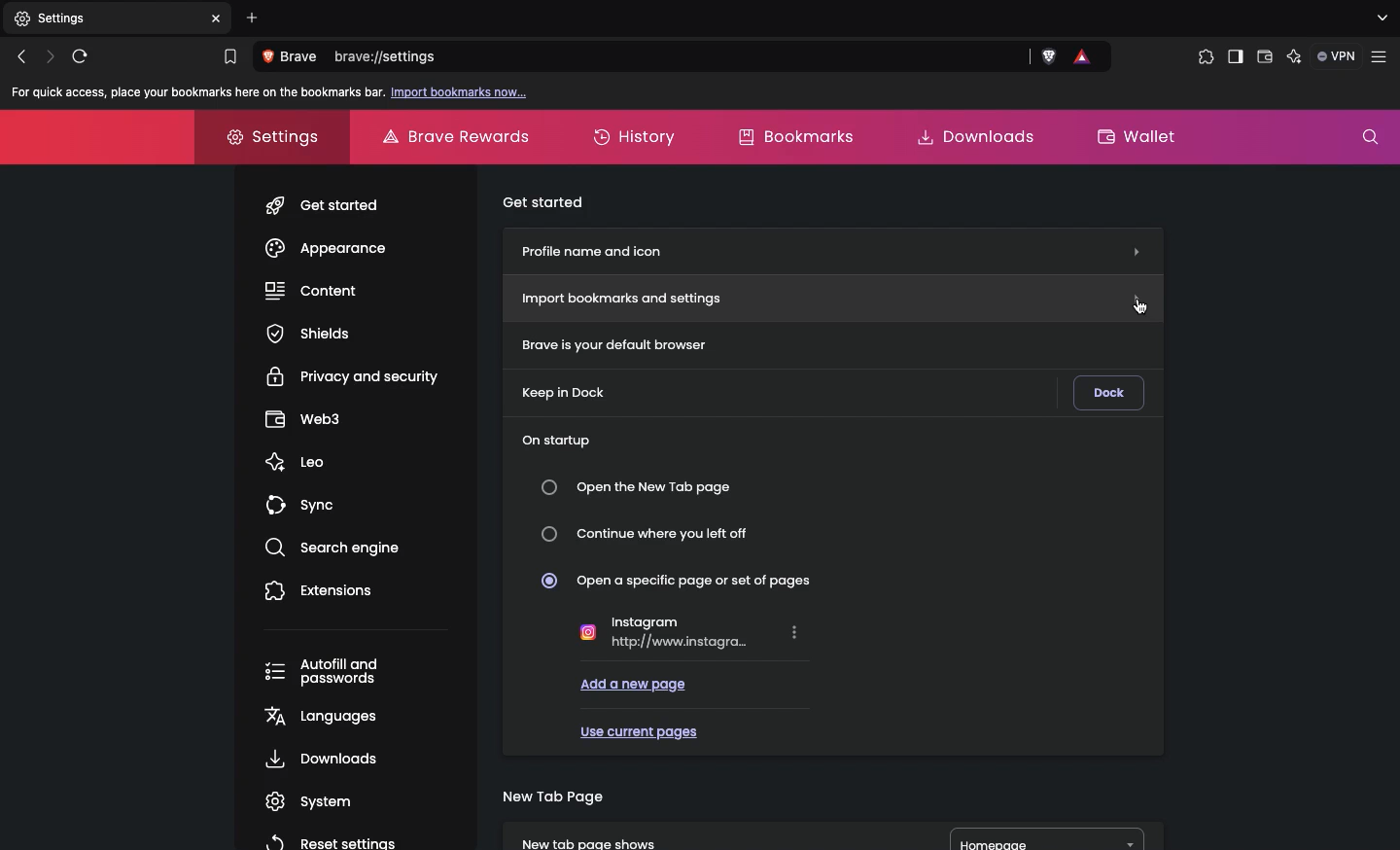 The image size is (1400, 850). Describe the element at coordinates (652, 534) in the screenshot. I see `Continue where you left off` at that location.